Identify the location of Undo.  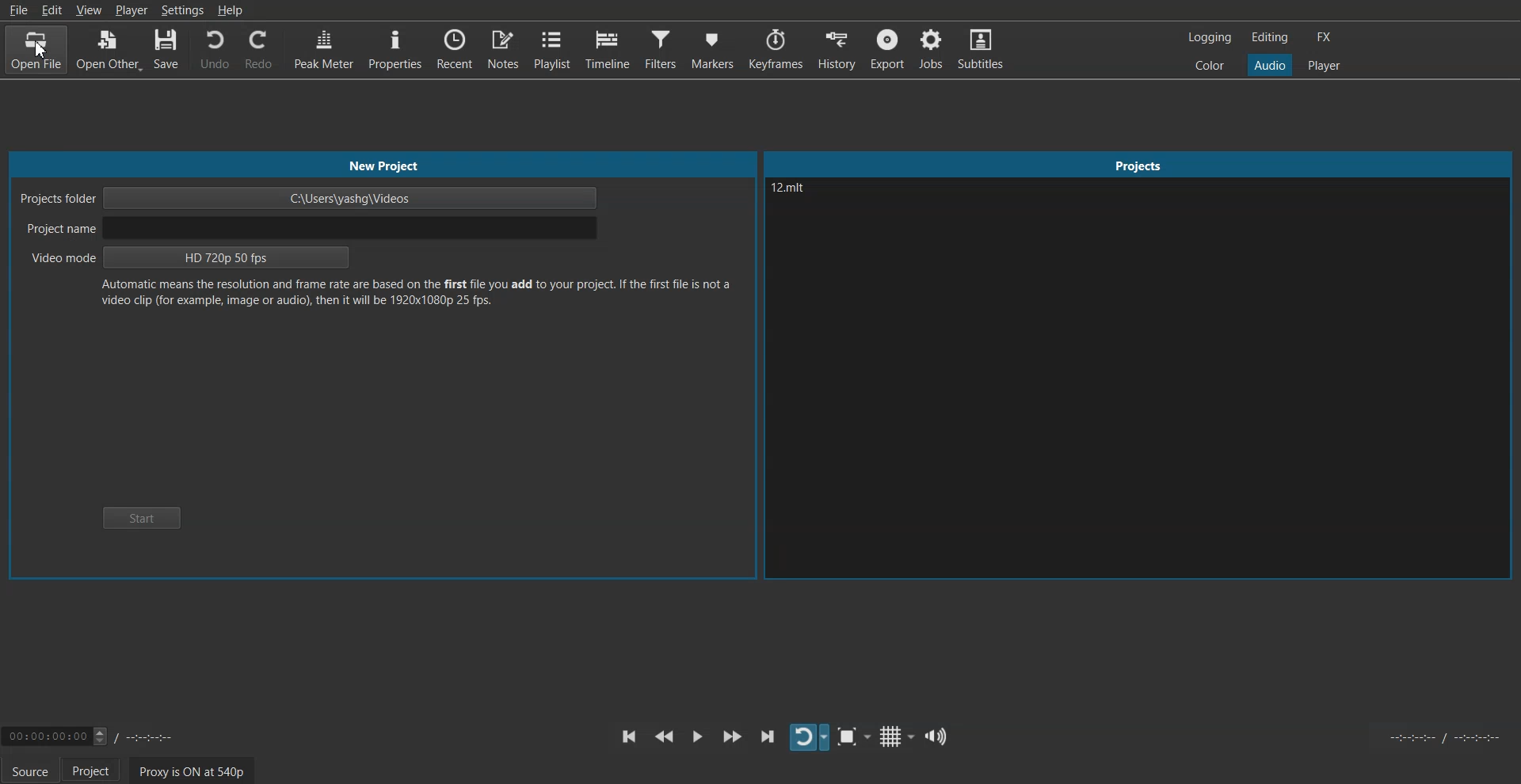
(214, 48).